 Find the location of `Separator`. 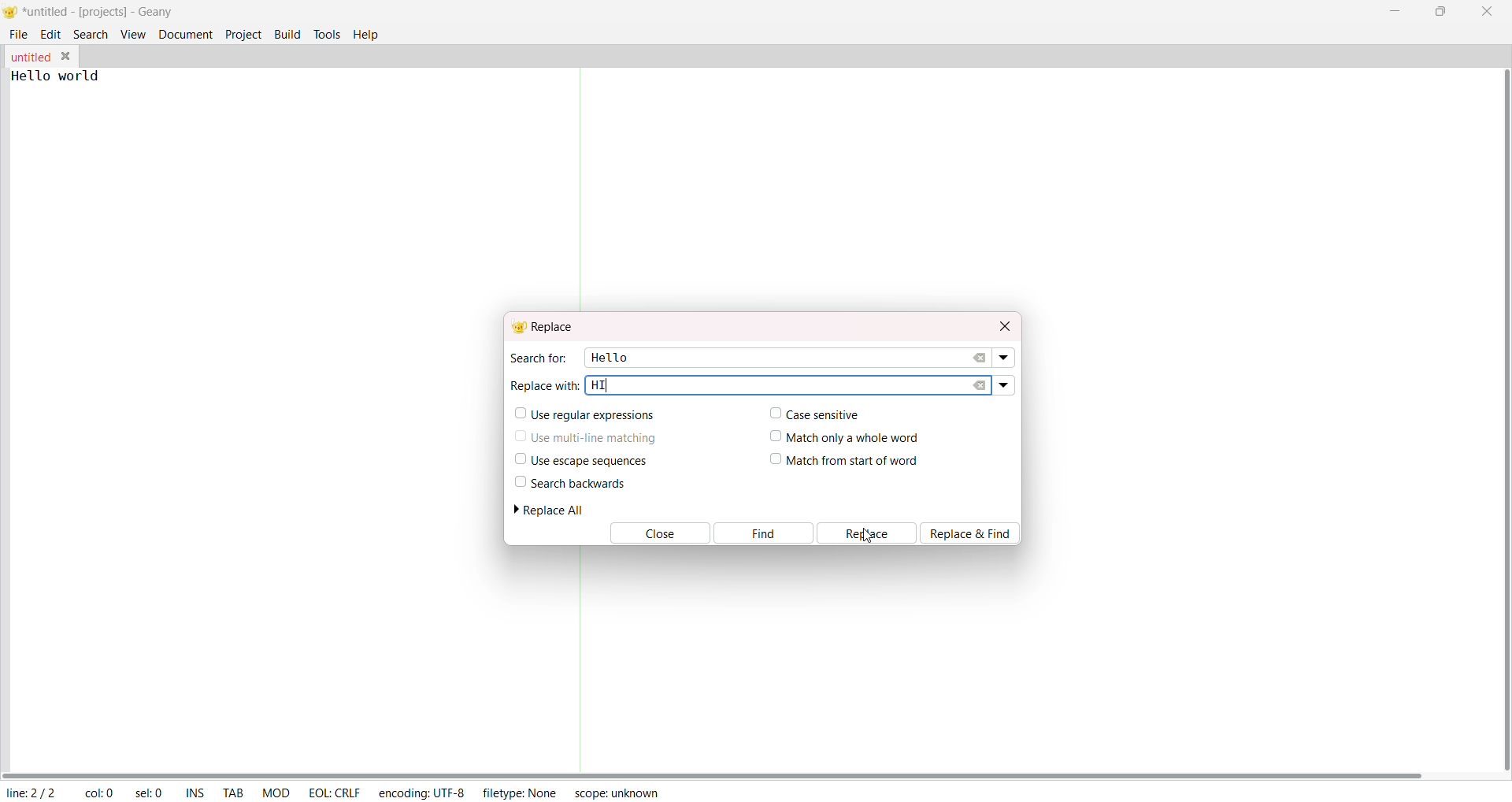

Separator is located at coordinates (583, 190).